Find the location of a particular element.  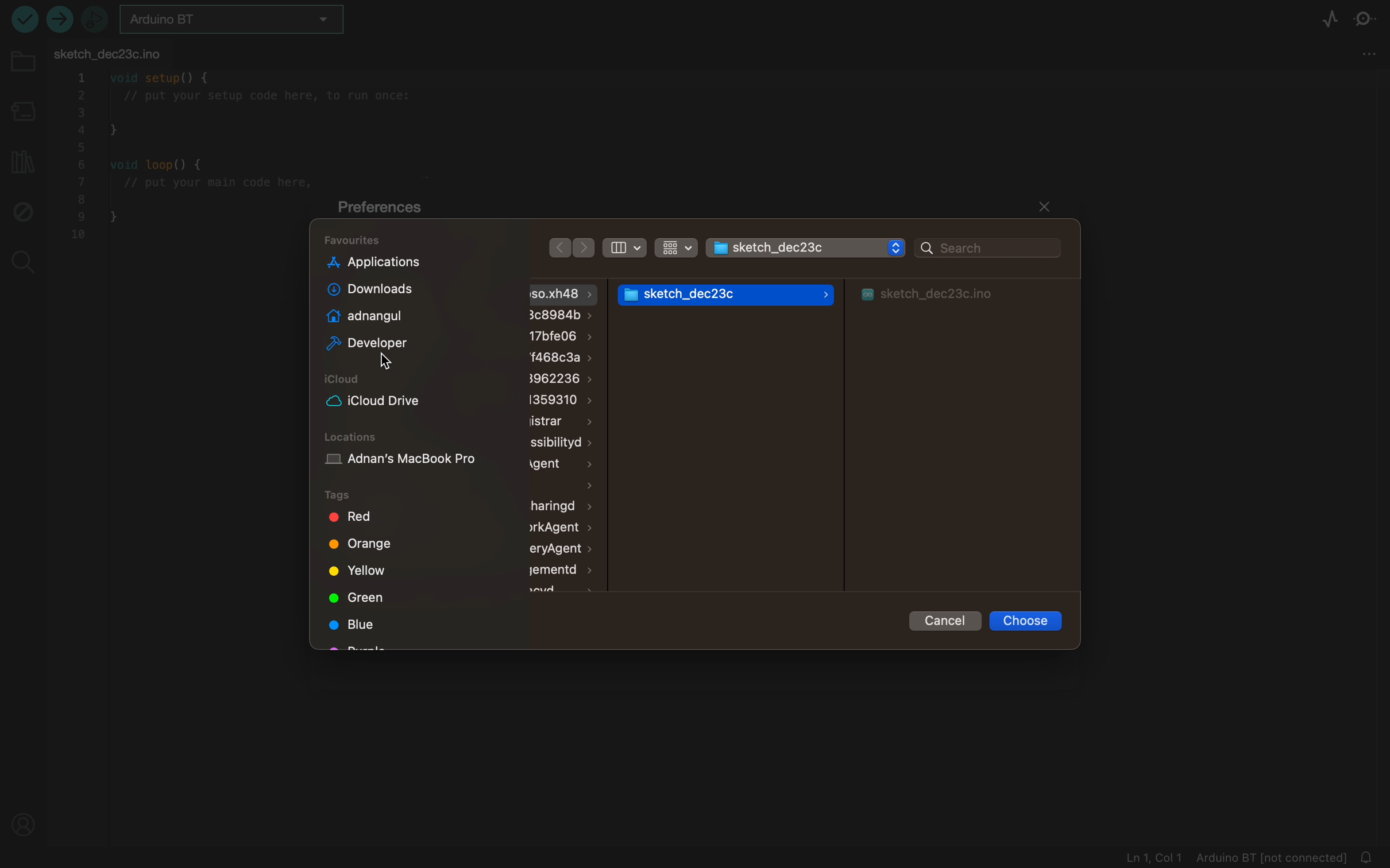

serial monitor is located at coordinates (1368, 18).